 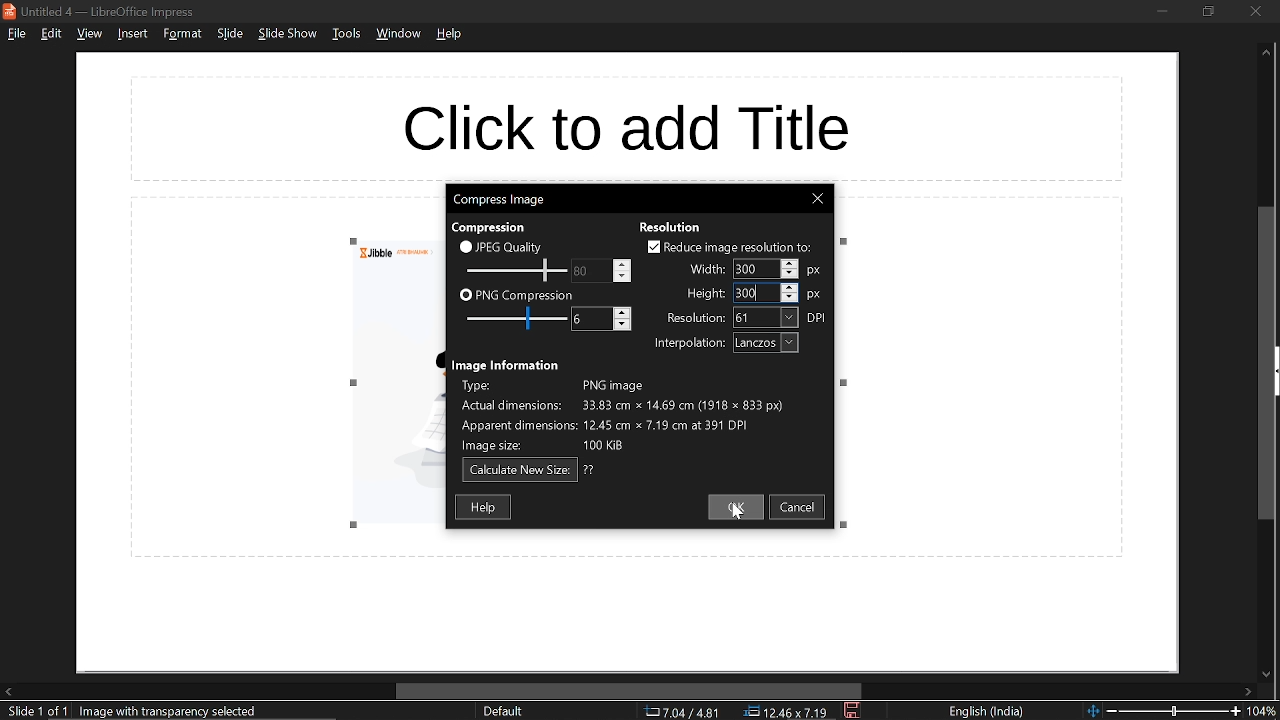 I want to click on Increase , so click(x=623, y=312).